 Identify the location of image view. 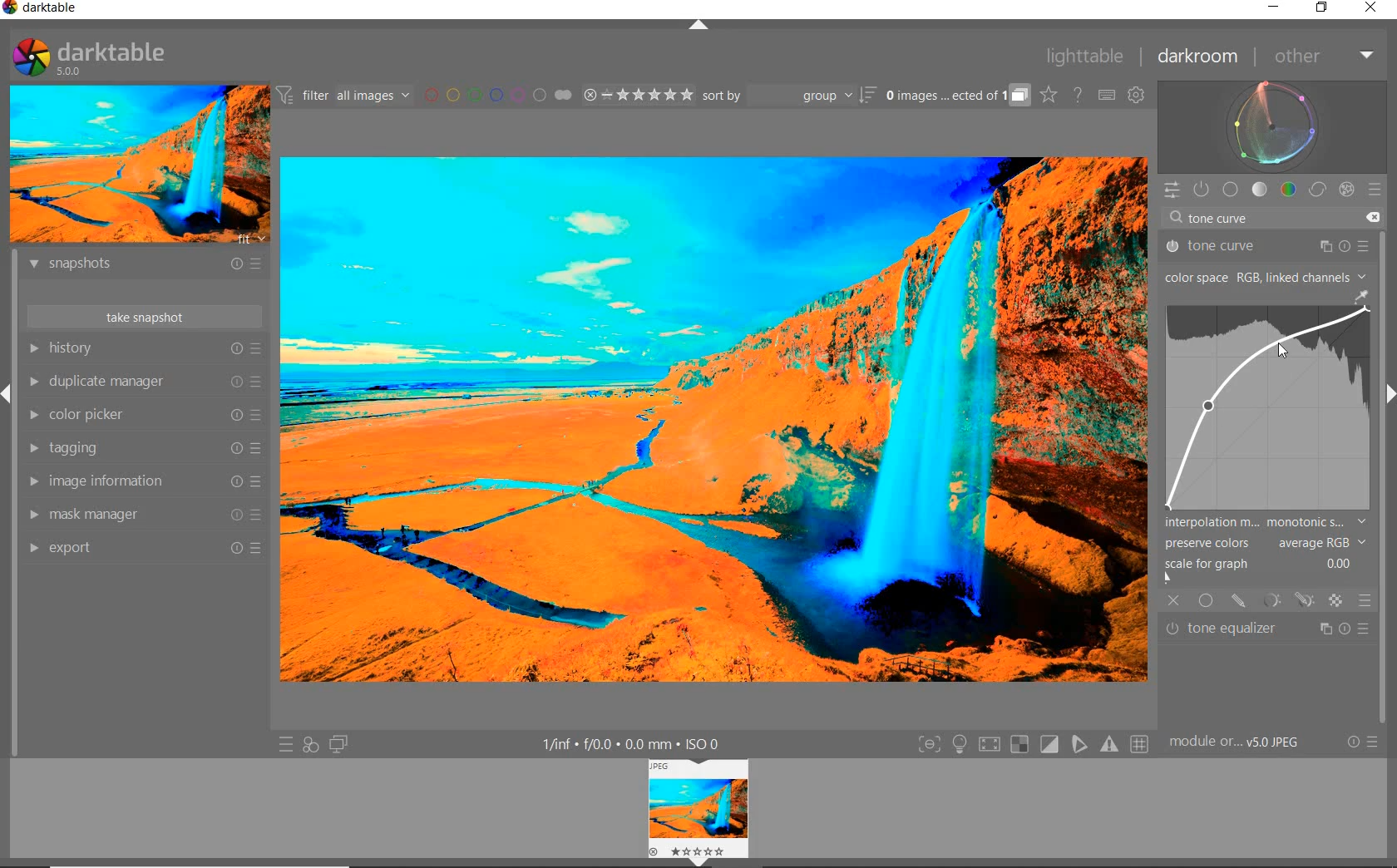
(693, 806).